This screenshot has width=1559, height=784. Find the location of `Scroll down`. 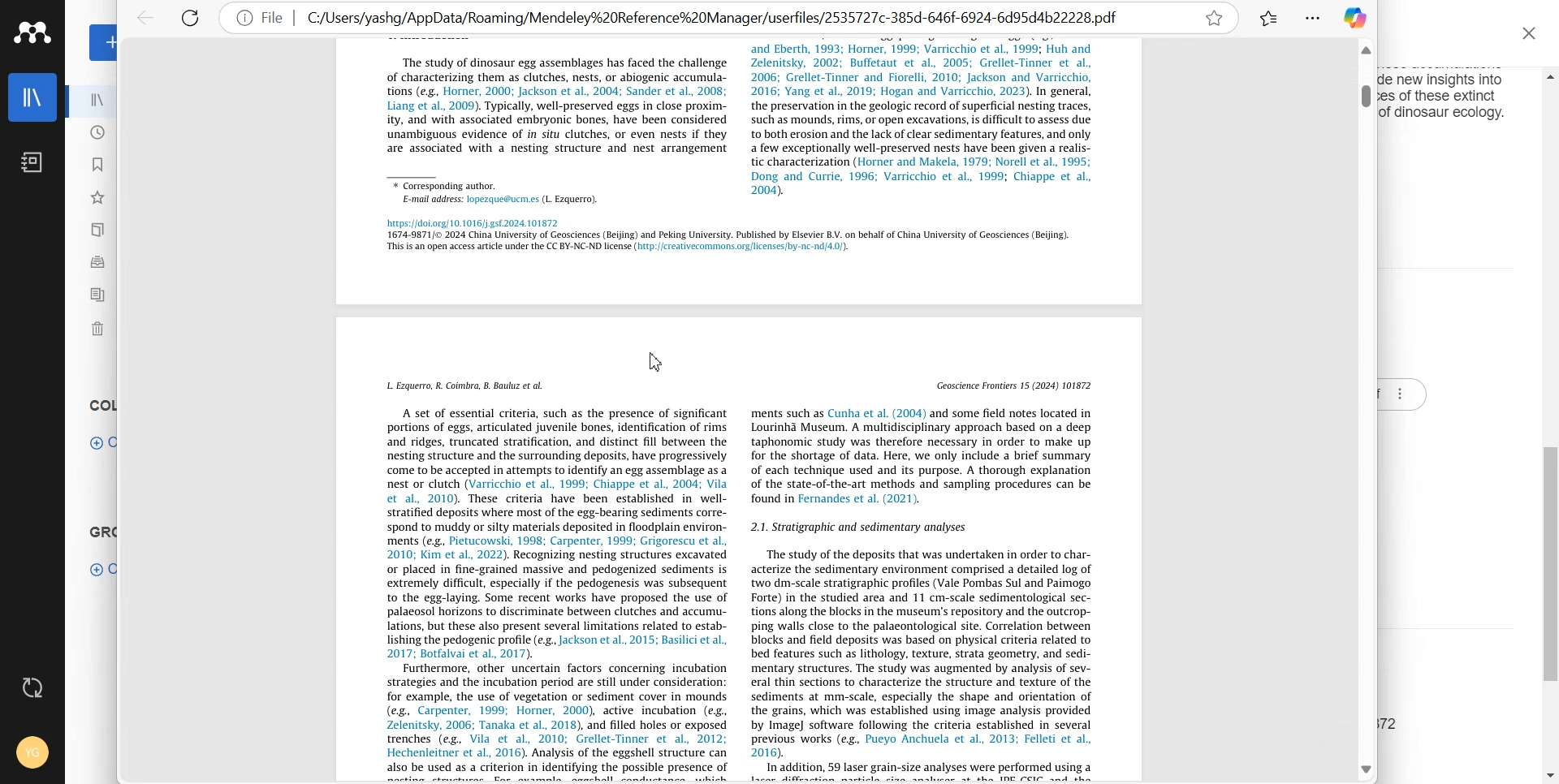

Scroll down is located at coordinates (1548, 774).